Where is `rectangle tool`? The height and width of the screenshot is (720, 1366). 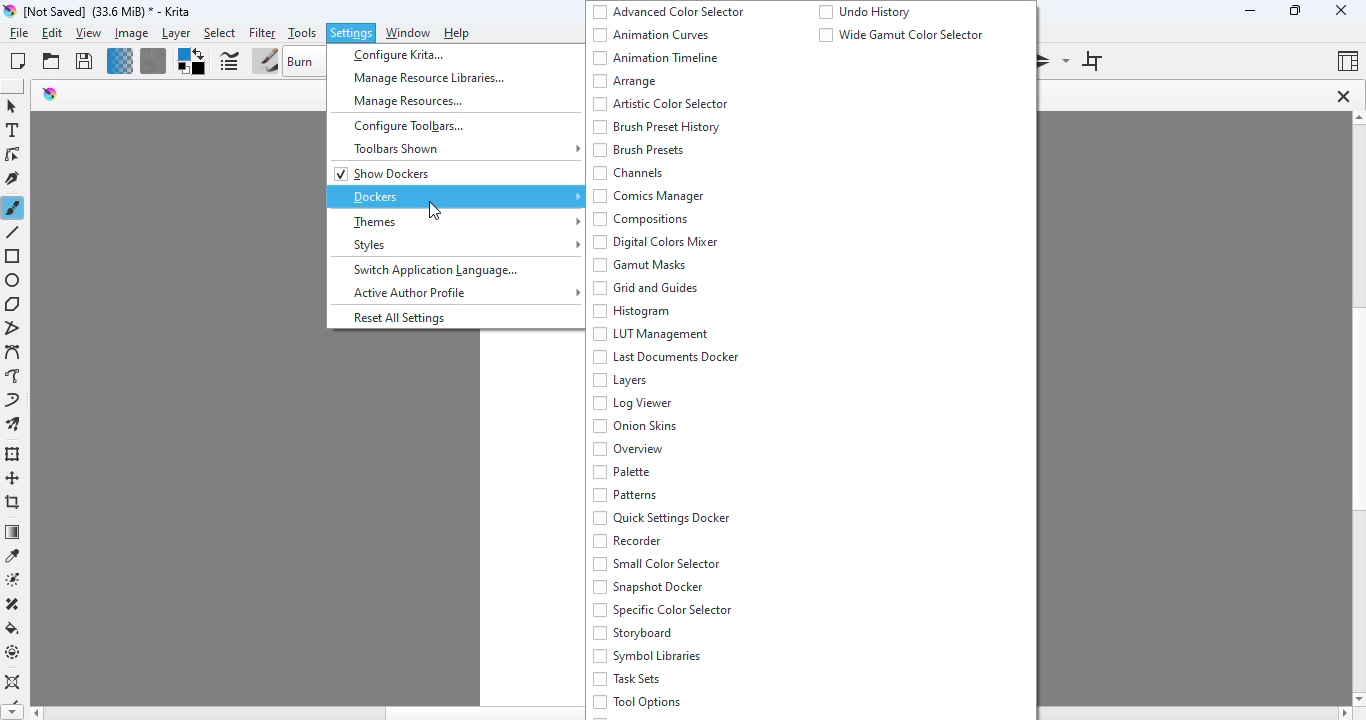 rectangle tool is located at coordinates (14, 257).